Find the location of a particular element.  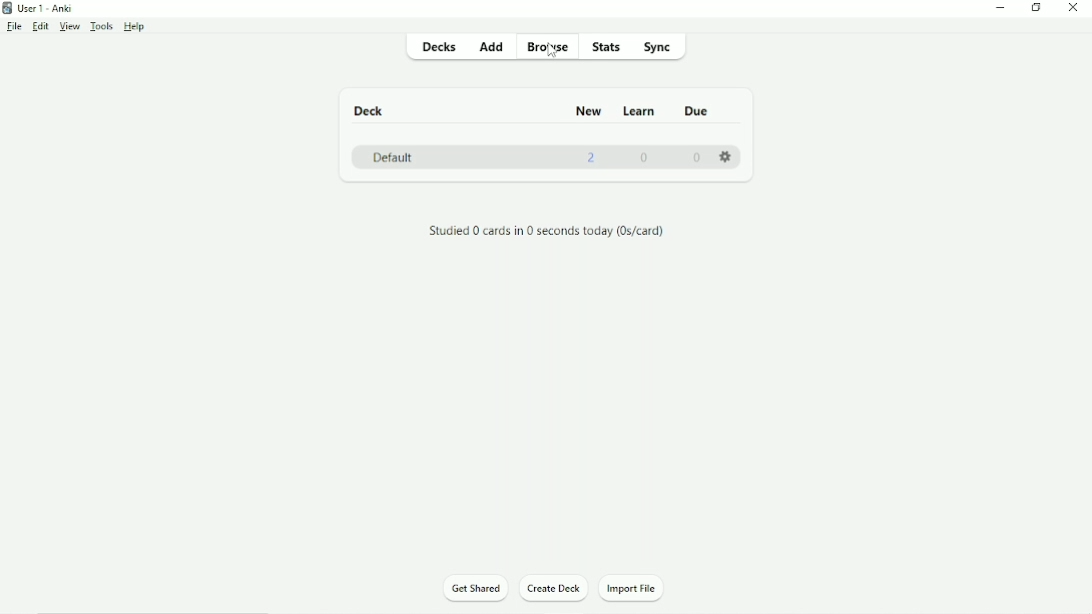

Add is located at coordinates (495, 48).